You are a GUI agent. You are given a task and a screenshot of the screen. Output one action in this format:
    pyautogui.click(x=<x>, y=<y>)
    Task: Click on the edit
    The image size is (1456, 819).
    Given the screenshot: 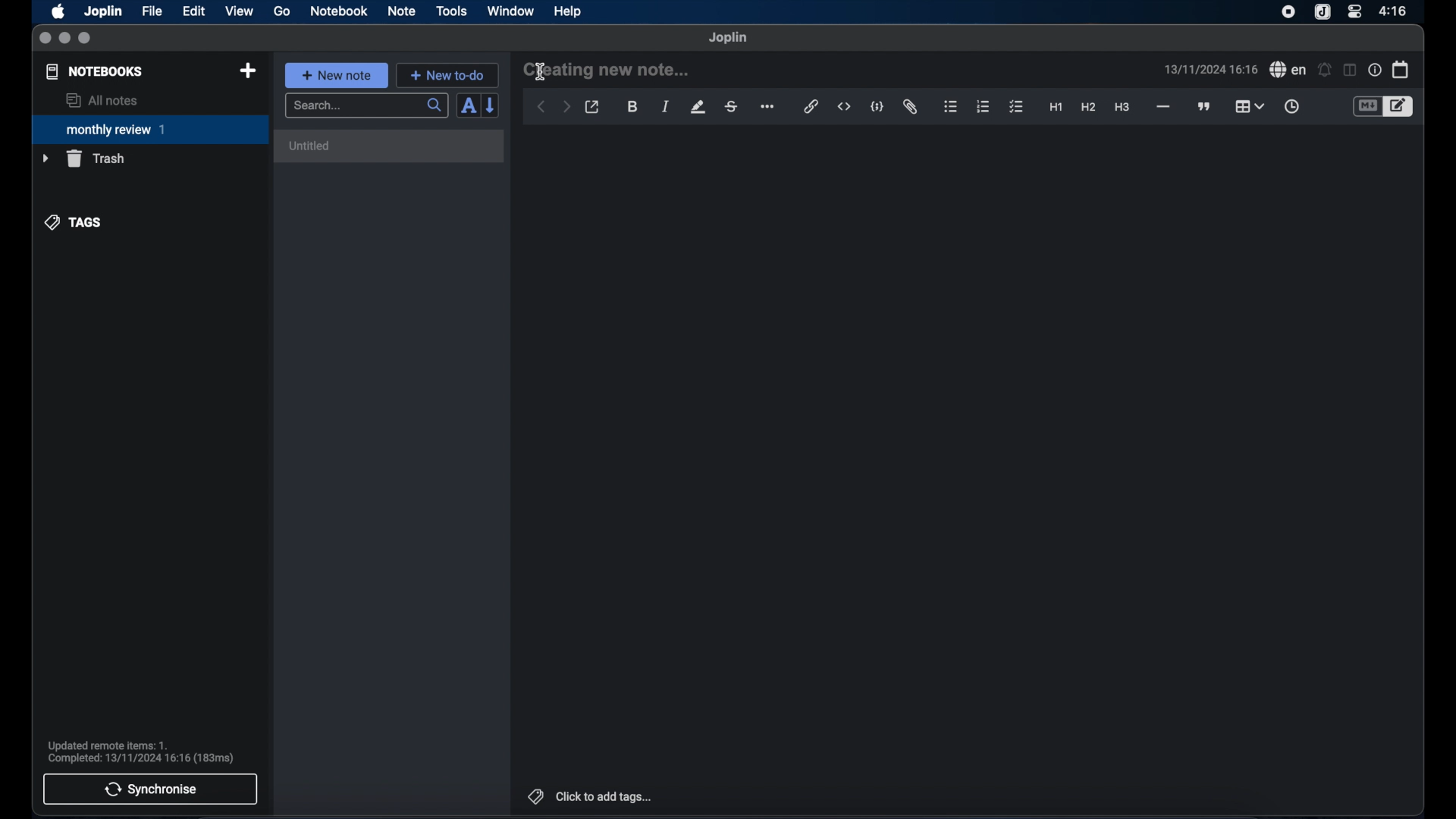 What is the action you would take?
    pyautogui.click(x=195, y=11)
    